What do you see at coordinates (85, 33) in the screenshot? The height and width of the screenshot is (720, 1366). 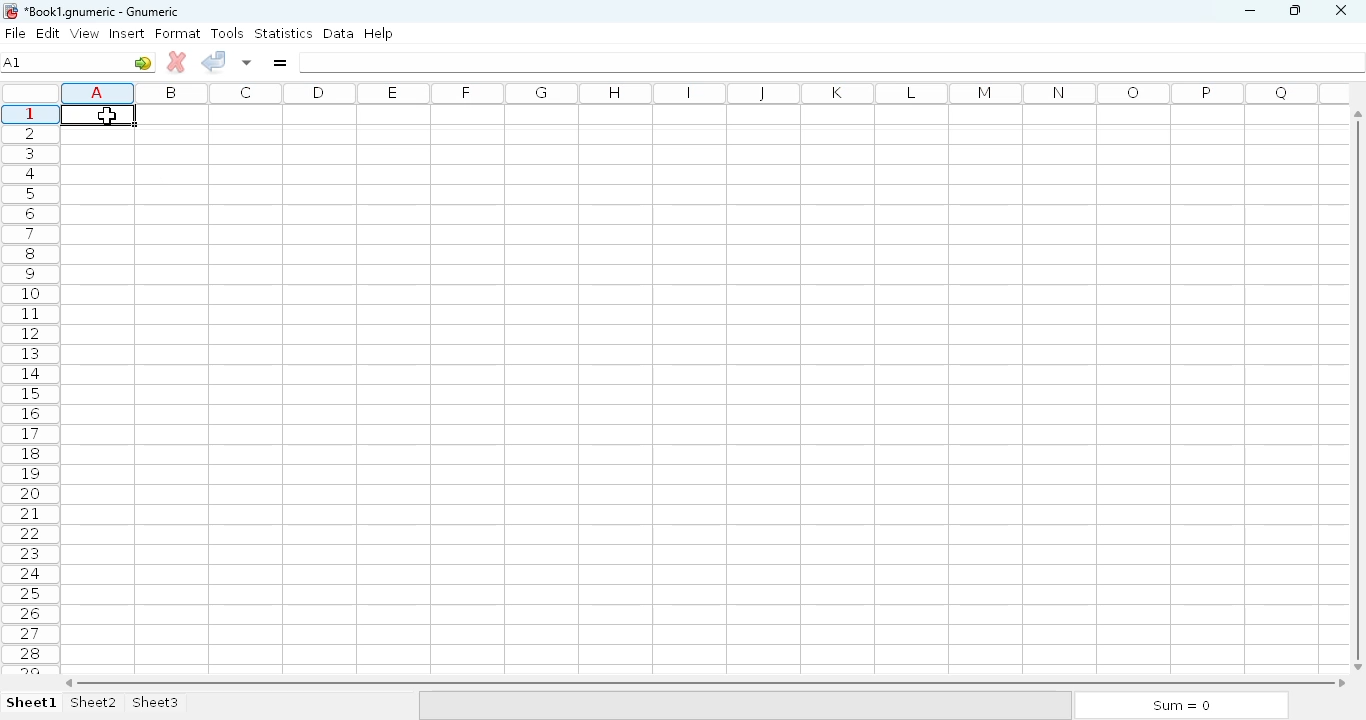 I see `view` at bounding box center [85, 33].